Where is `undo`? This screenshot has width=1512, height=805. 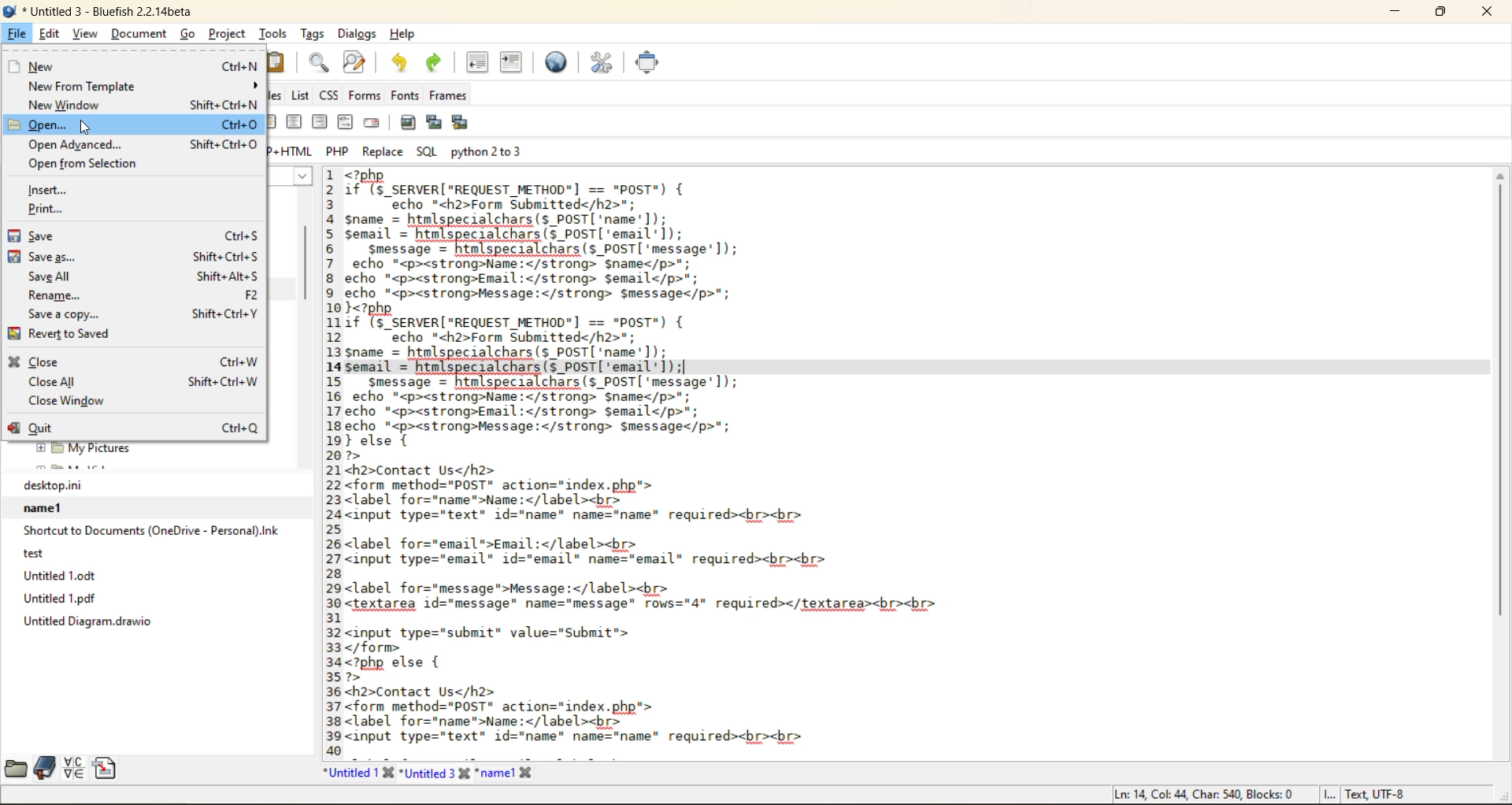
undo is located at coordinates (398, 62).